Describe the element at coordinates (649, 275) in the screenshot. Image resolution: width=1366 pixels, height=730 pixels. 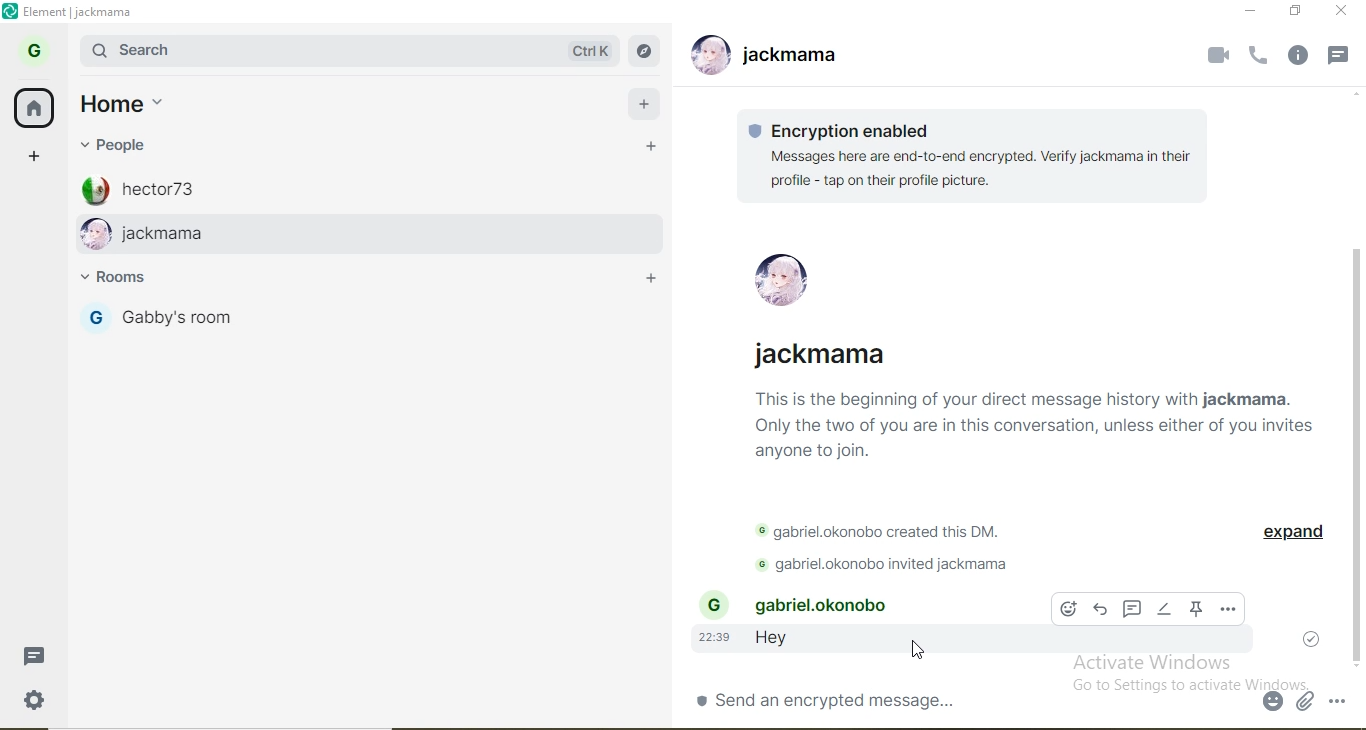
I see `add room` at that location.